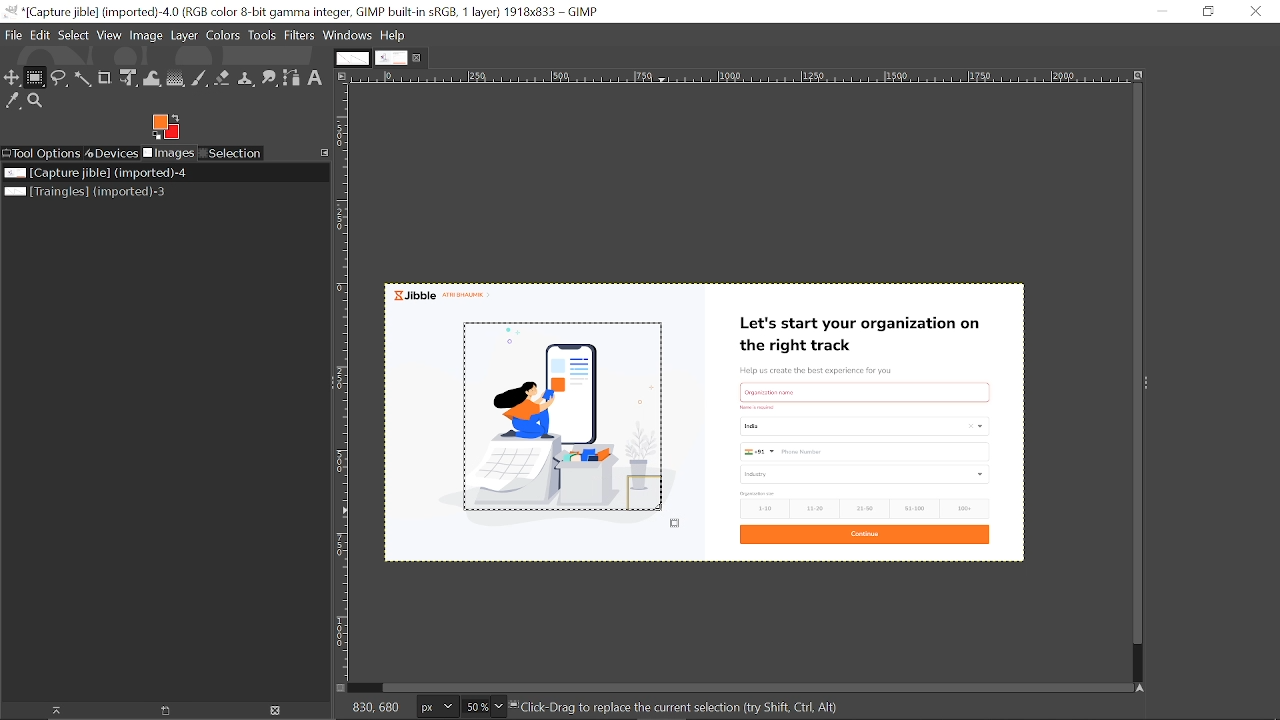  What do you see at coordinates (172, 710) in the screenshot?
I see `Create a new display for this image` at bounding box center [172, 710].